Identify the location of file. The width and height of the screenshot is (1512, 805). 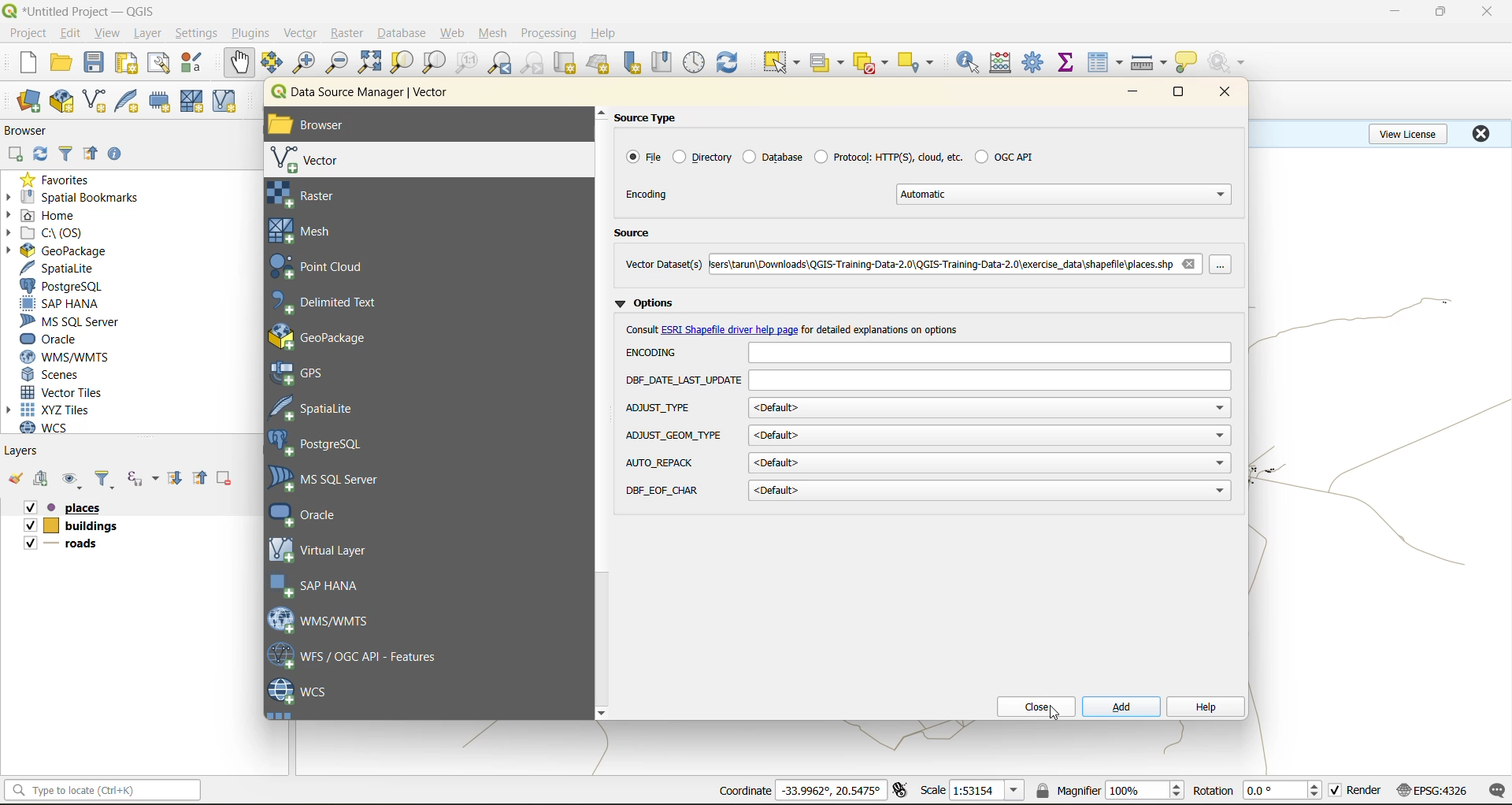
(642, 157).